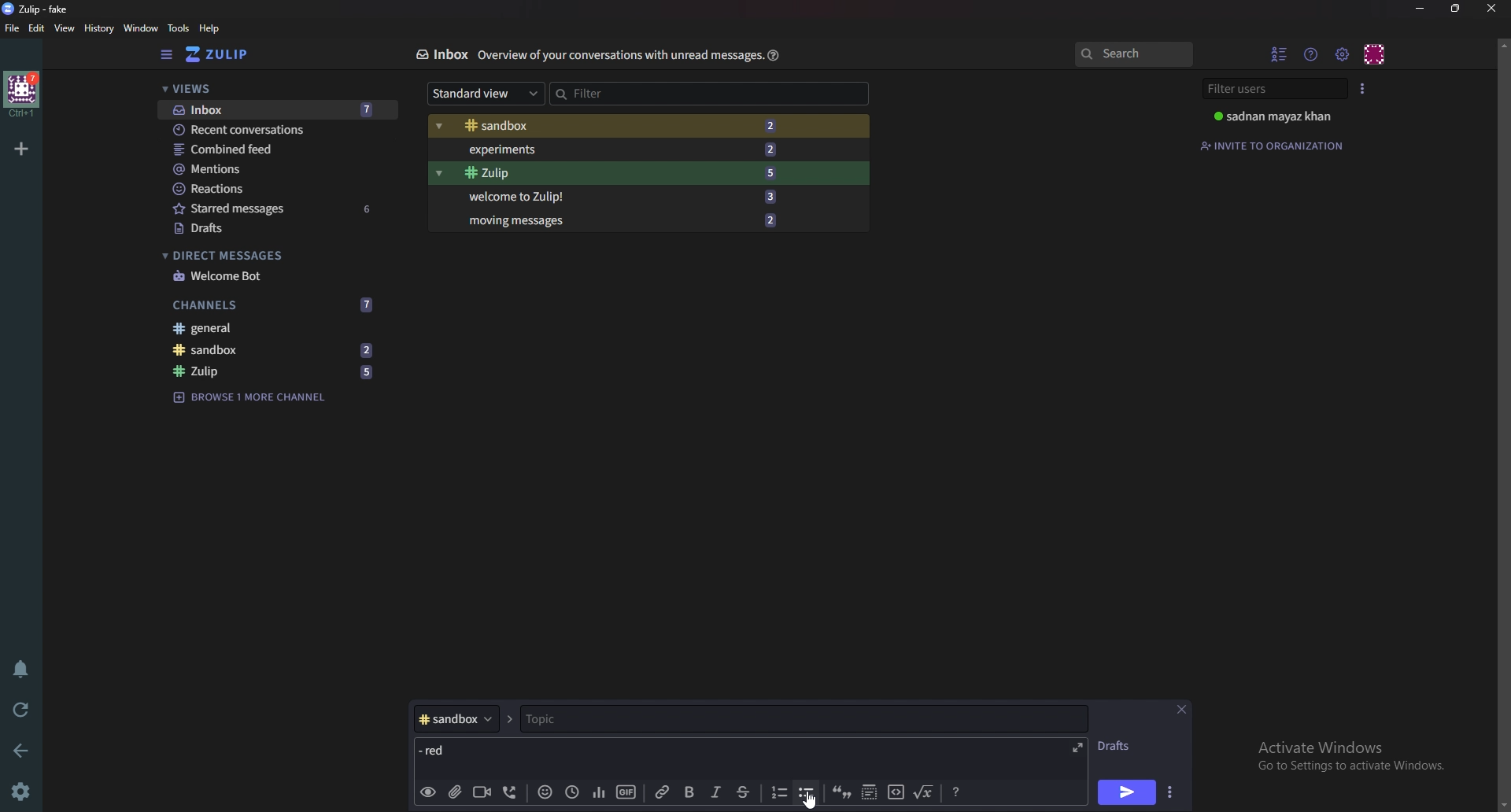  Describe the element at coordinates (620, 54) in the screenshot. I see `Info` at that location.